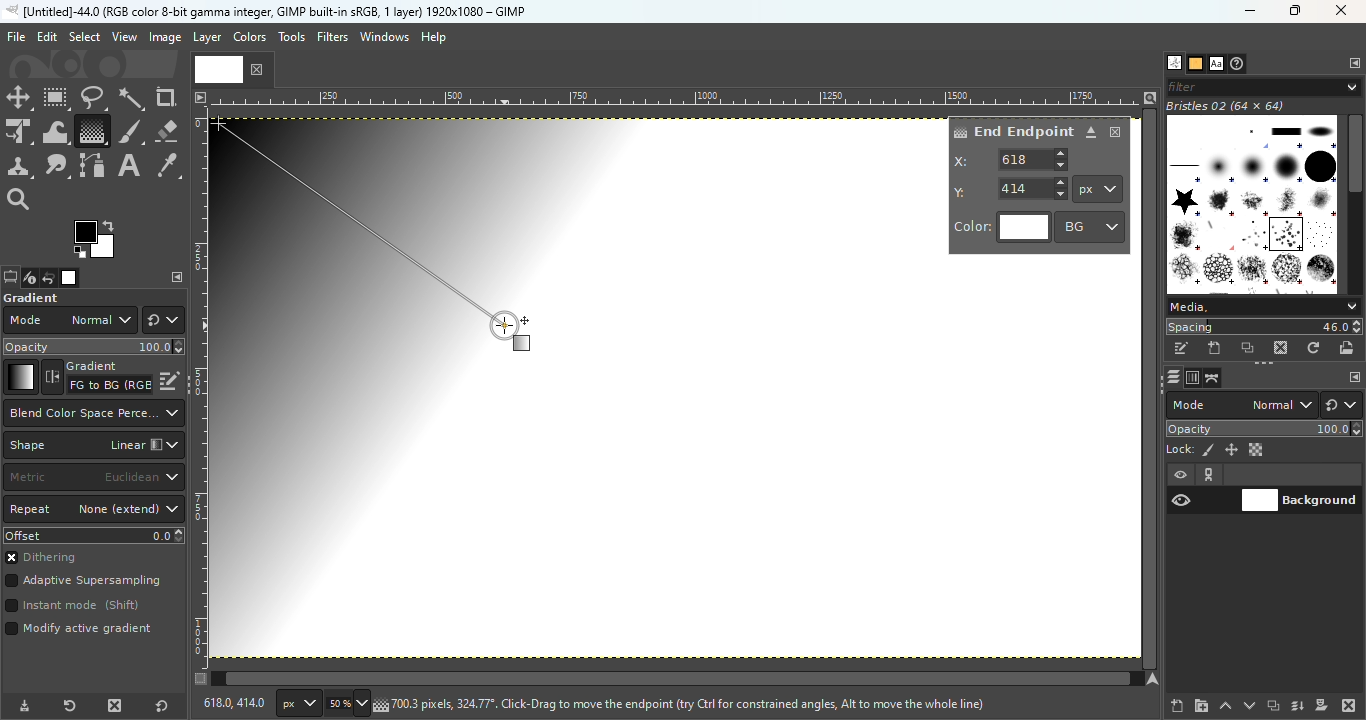 This screenshot has width=1366, height=720. What do you see at coordinates (130, 130) in the screenshot?
I see `Paint brush tool` at bounding box center [130, 130].